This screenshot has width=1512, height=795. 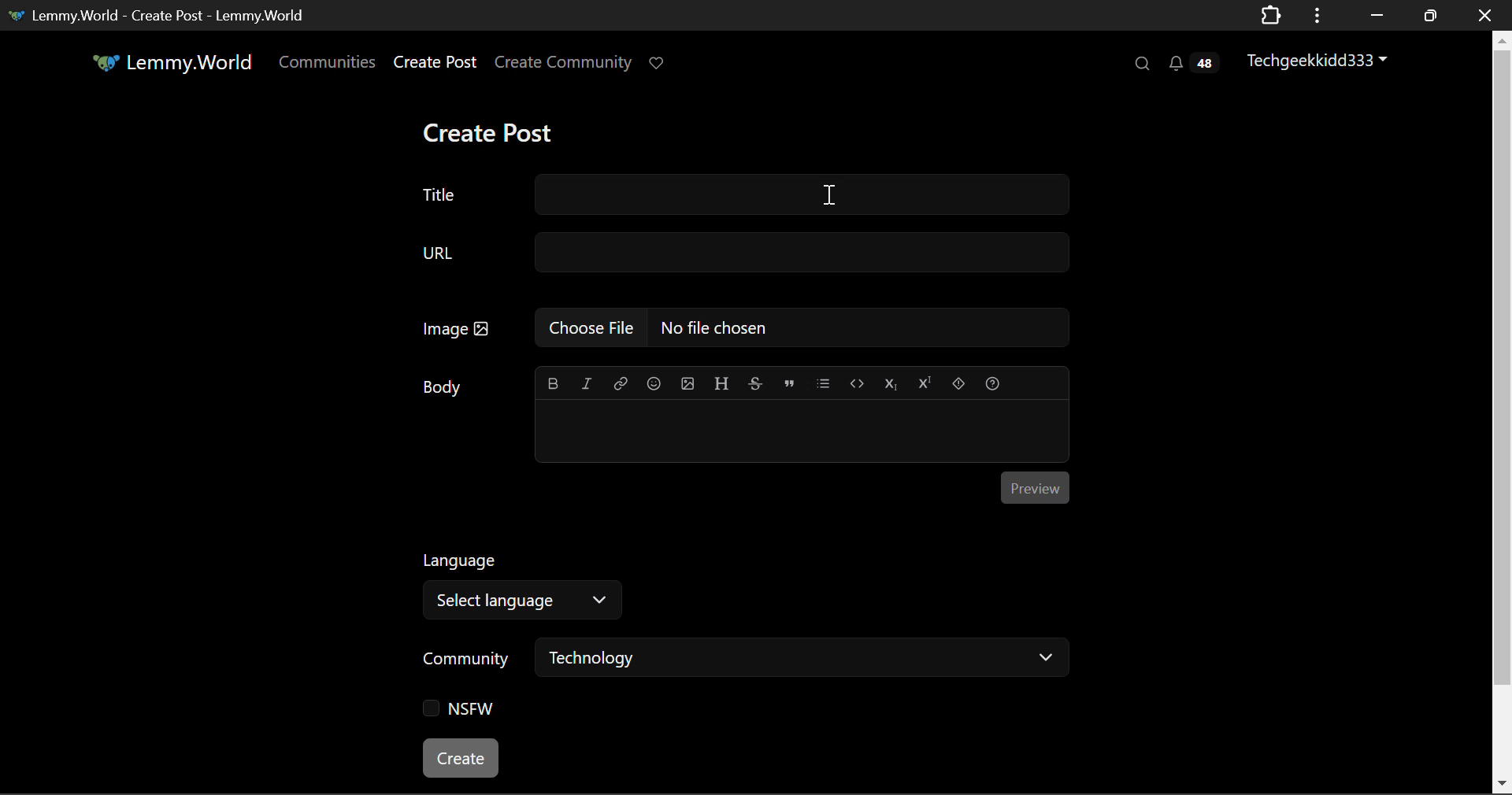 What do you see at coordinates (651, 382) in the screenshot?
I see `emoji` at bounding box center [651, 382].